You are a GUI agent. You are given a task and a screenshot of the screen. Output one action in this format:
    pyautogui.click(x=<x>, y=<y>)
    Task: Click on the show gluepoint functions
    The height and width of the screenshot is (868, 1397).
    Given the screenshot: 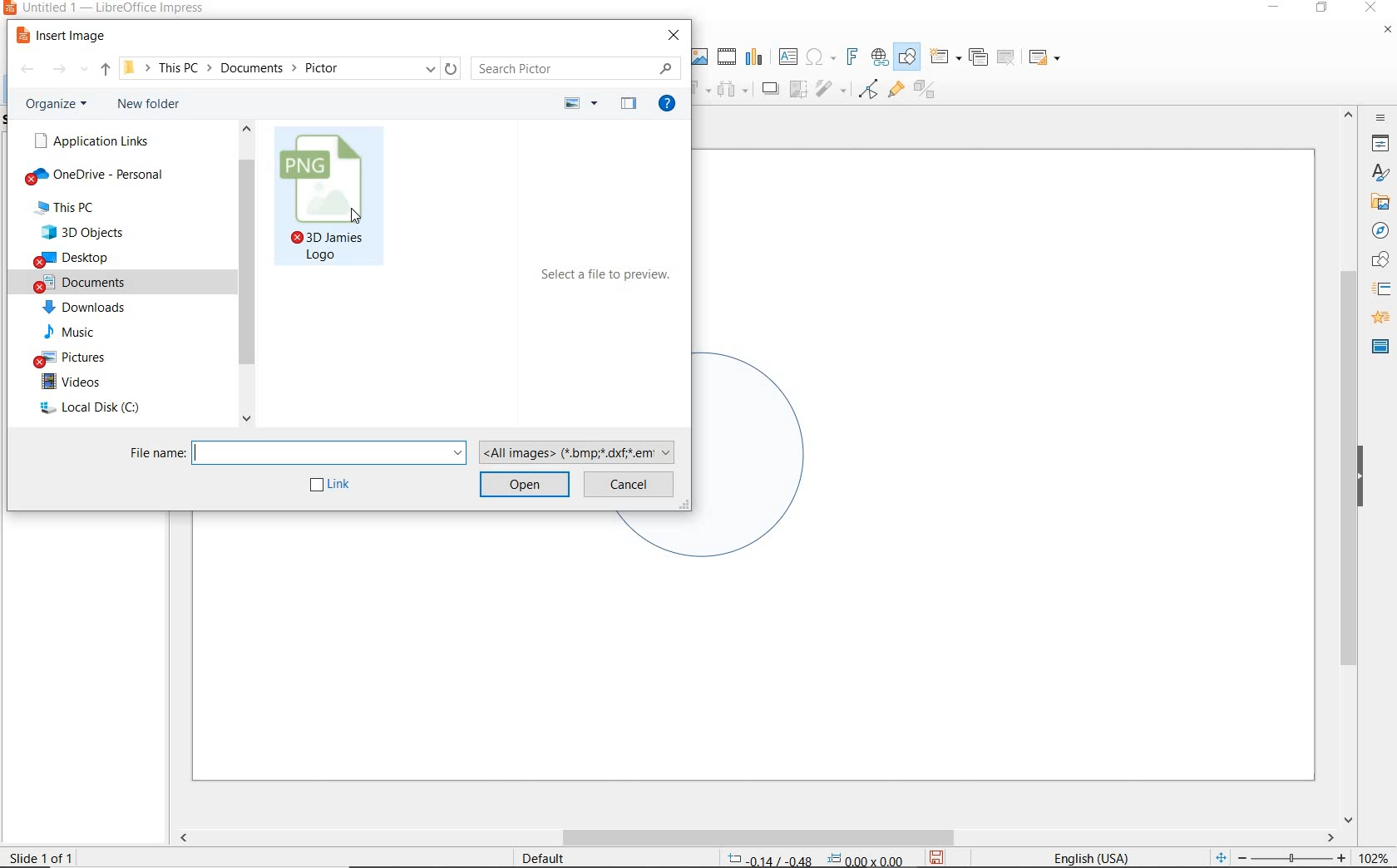 What is the action you would take?
    pyautogui.click(x=892, y=91)
    